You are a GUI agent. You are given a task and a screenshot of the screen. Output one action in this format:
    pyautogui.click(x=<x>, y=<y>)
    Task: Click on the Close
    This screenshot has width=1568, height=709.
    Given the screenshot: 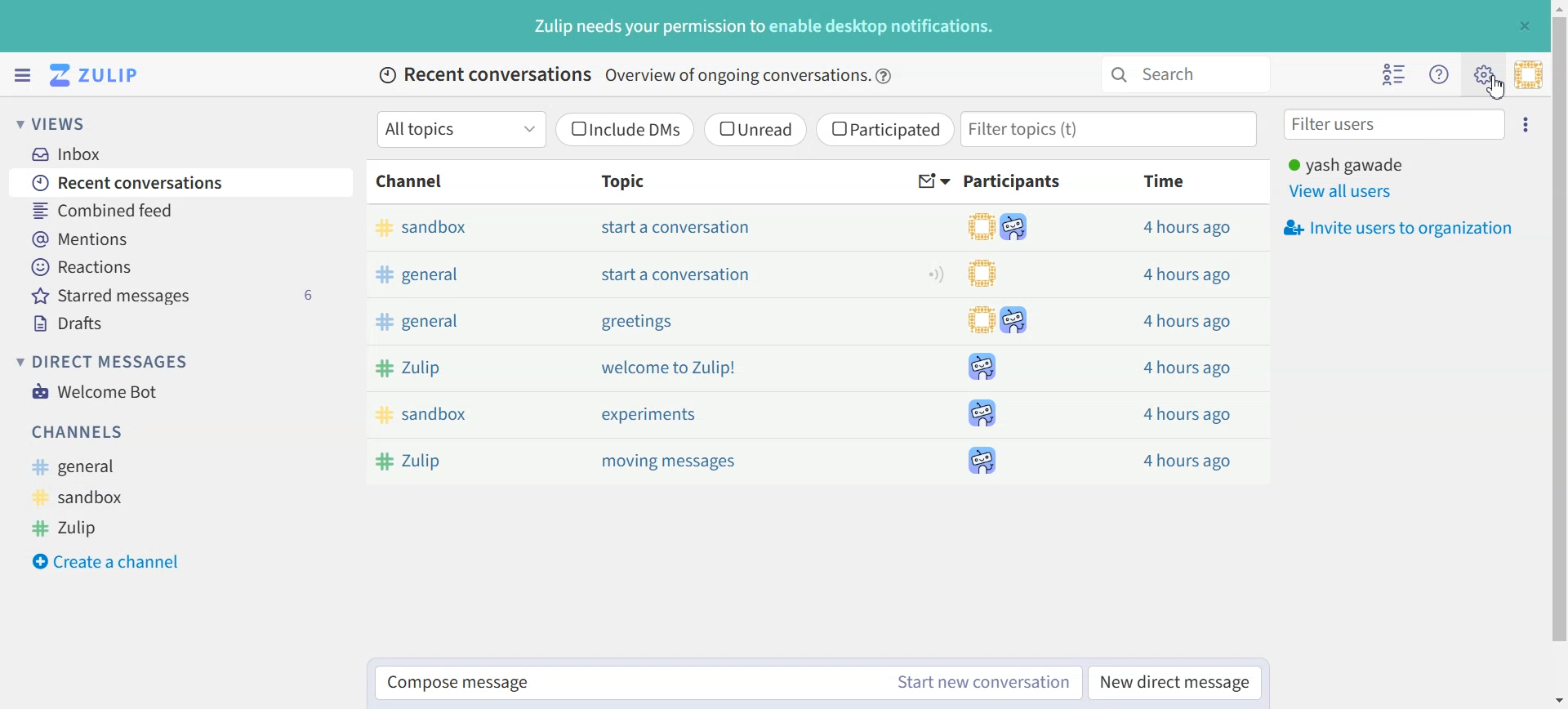 What is the action you would take?
    pyautogui.click(x=1524, y=25)
    